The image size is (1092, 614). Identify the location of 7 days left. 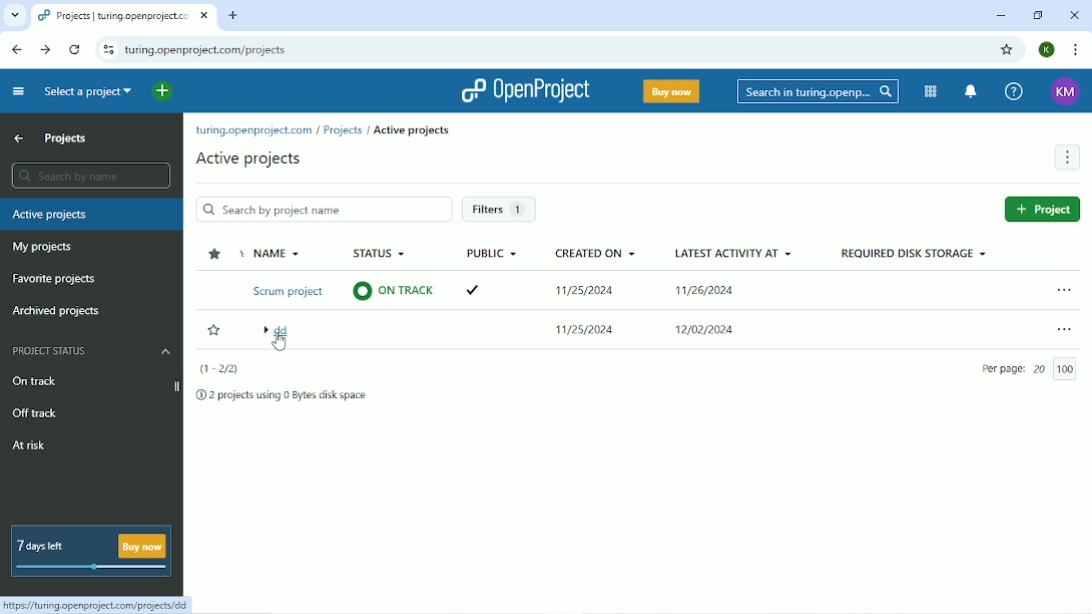
(89, 550).